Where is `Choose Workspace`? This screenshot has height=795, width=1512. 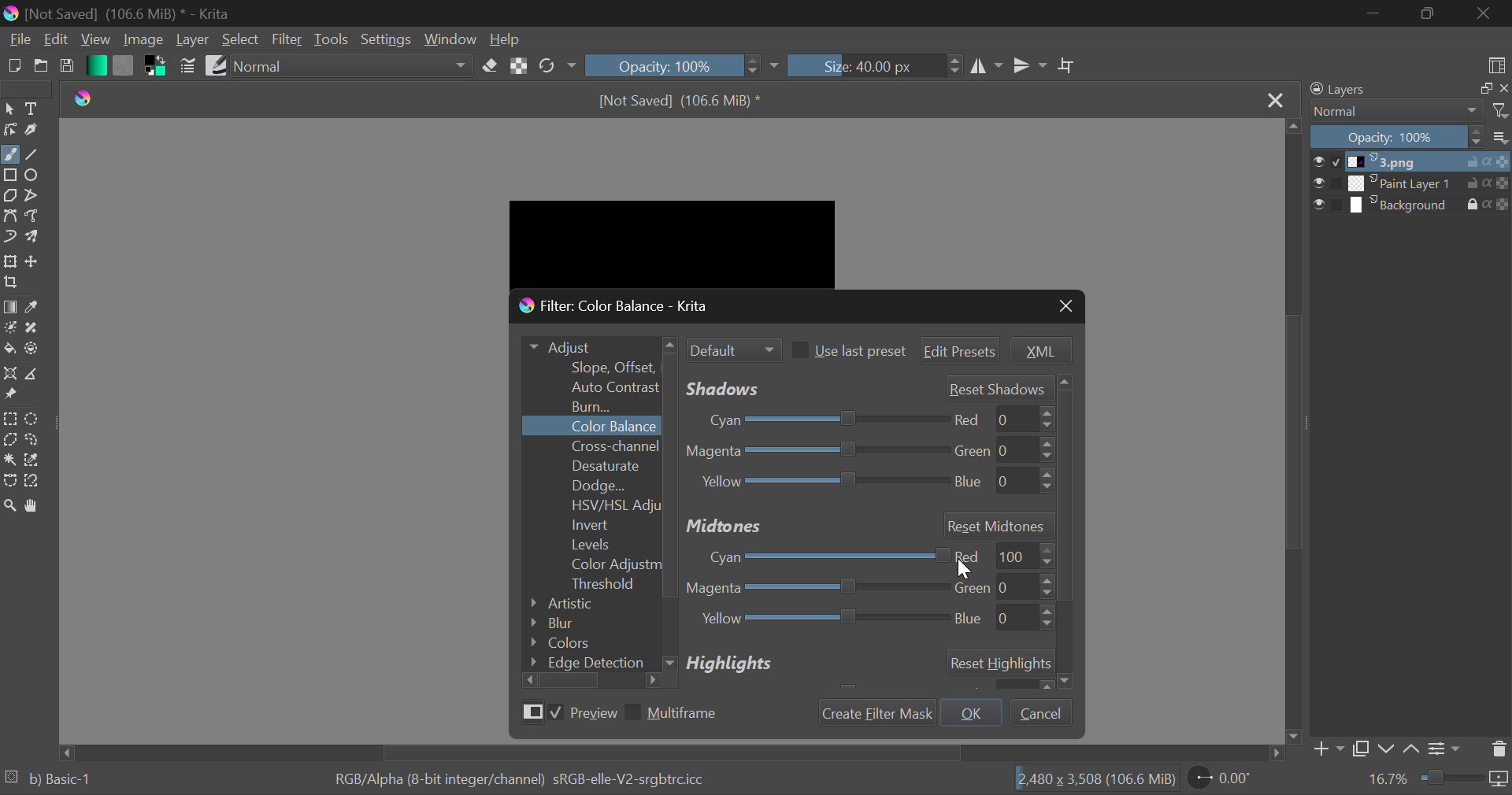 Choose Workspace is located at coordinates (1498, 64).